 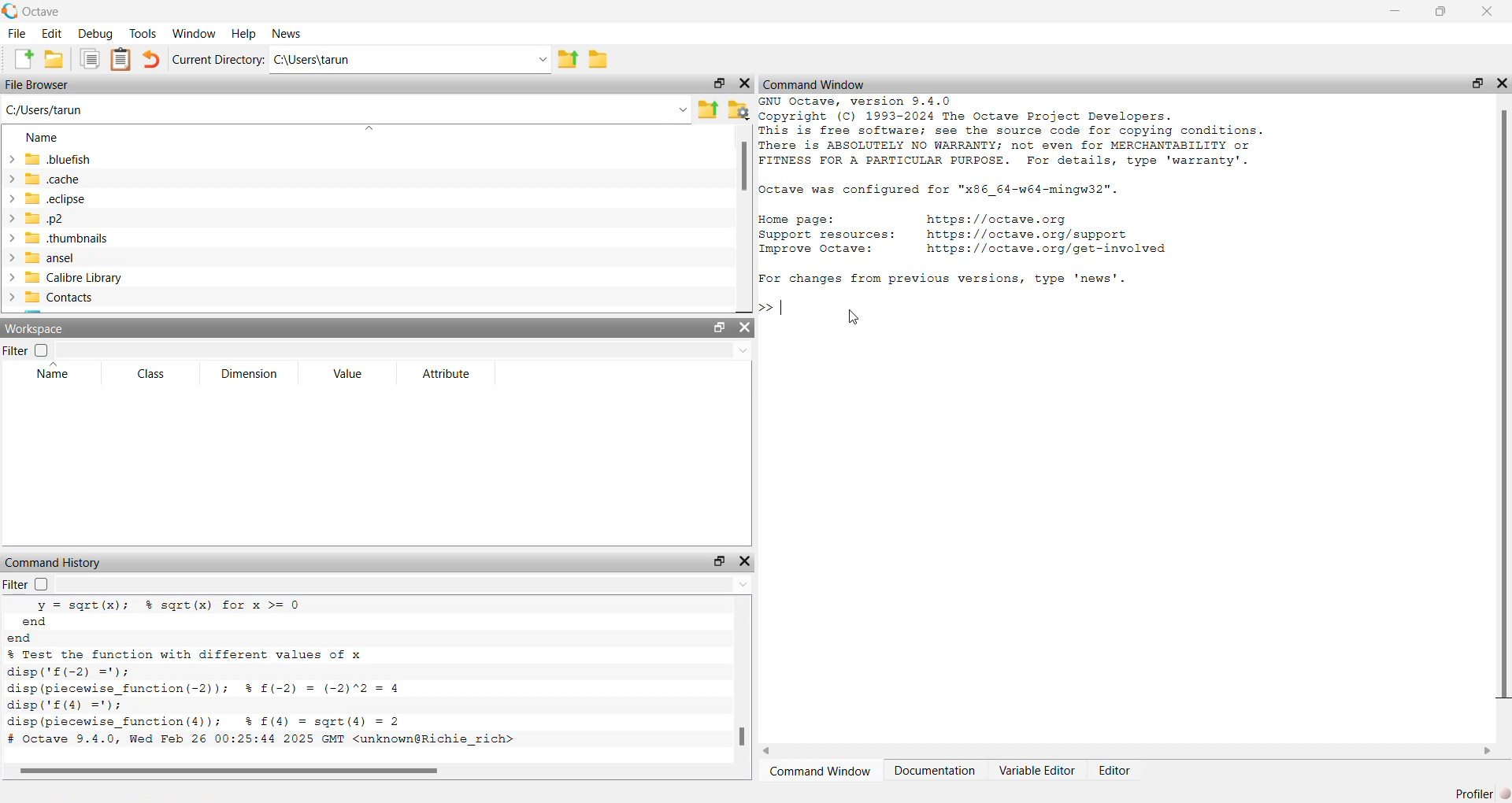 I want to click on Editor, so click(x=1117, y=769).